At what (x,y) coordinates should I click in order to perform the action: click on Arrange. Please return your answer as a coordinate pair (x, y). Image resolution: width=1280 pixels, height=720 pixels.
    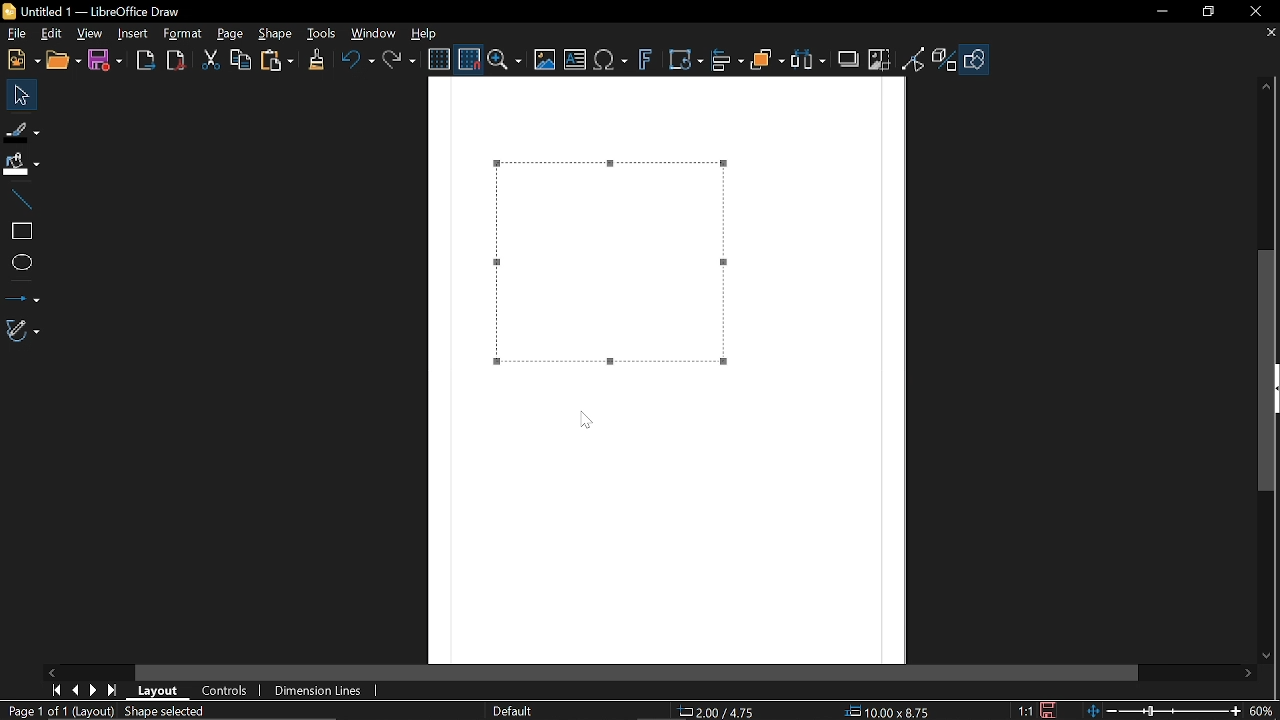
    Looking at the image, I should click on (768, 60).